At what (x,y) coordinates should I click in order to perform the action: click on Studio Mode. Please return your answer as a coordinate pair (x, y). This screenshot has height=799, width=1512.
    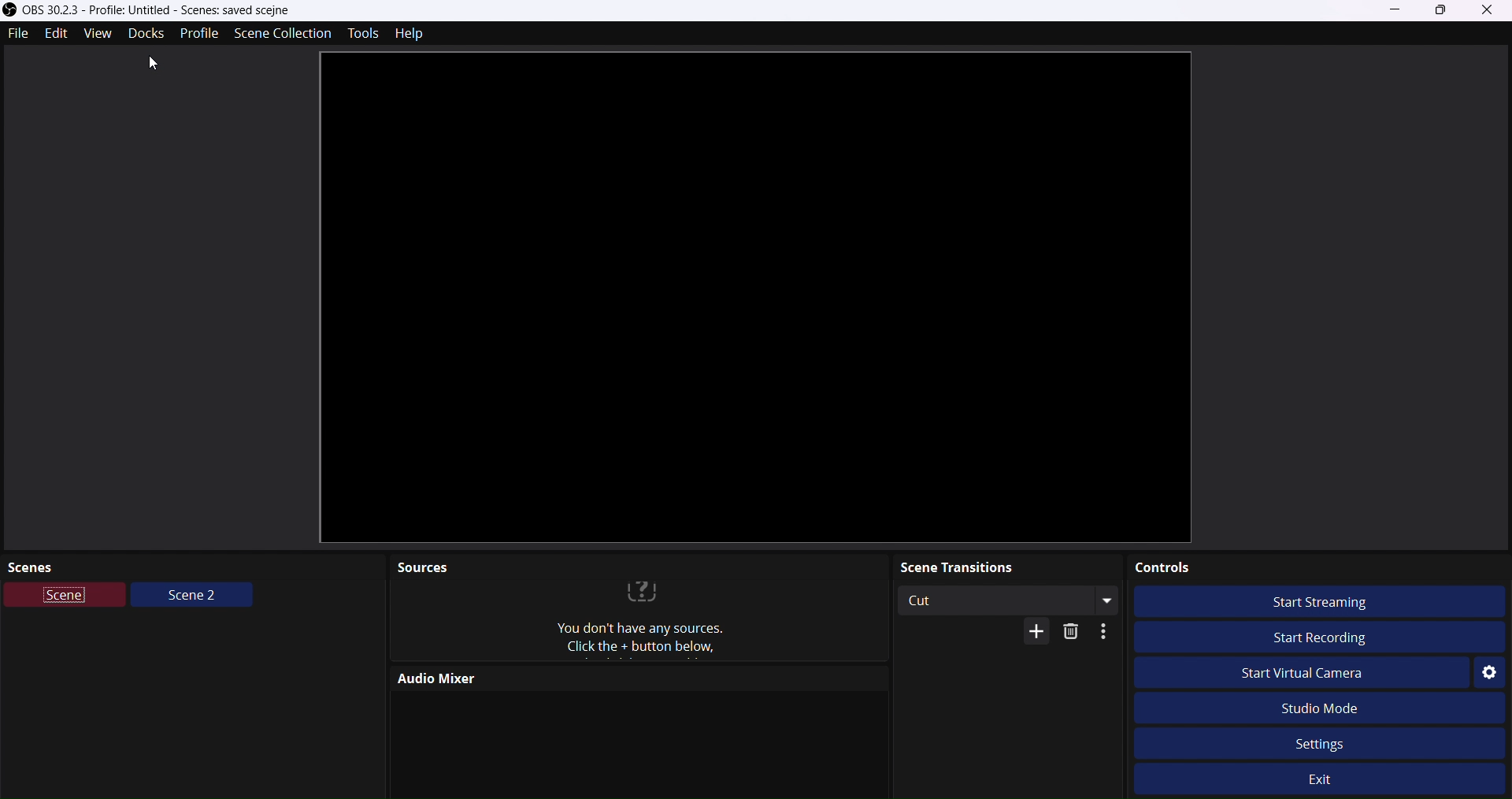
    Looking at the image, I should click on (1343, 707).